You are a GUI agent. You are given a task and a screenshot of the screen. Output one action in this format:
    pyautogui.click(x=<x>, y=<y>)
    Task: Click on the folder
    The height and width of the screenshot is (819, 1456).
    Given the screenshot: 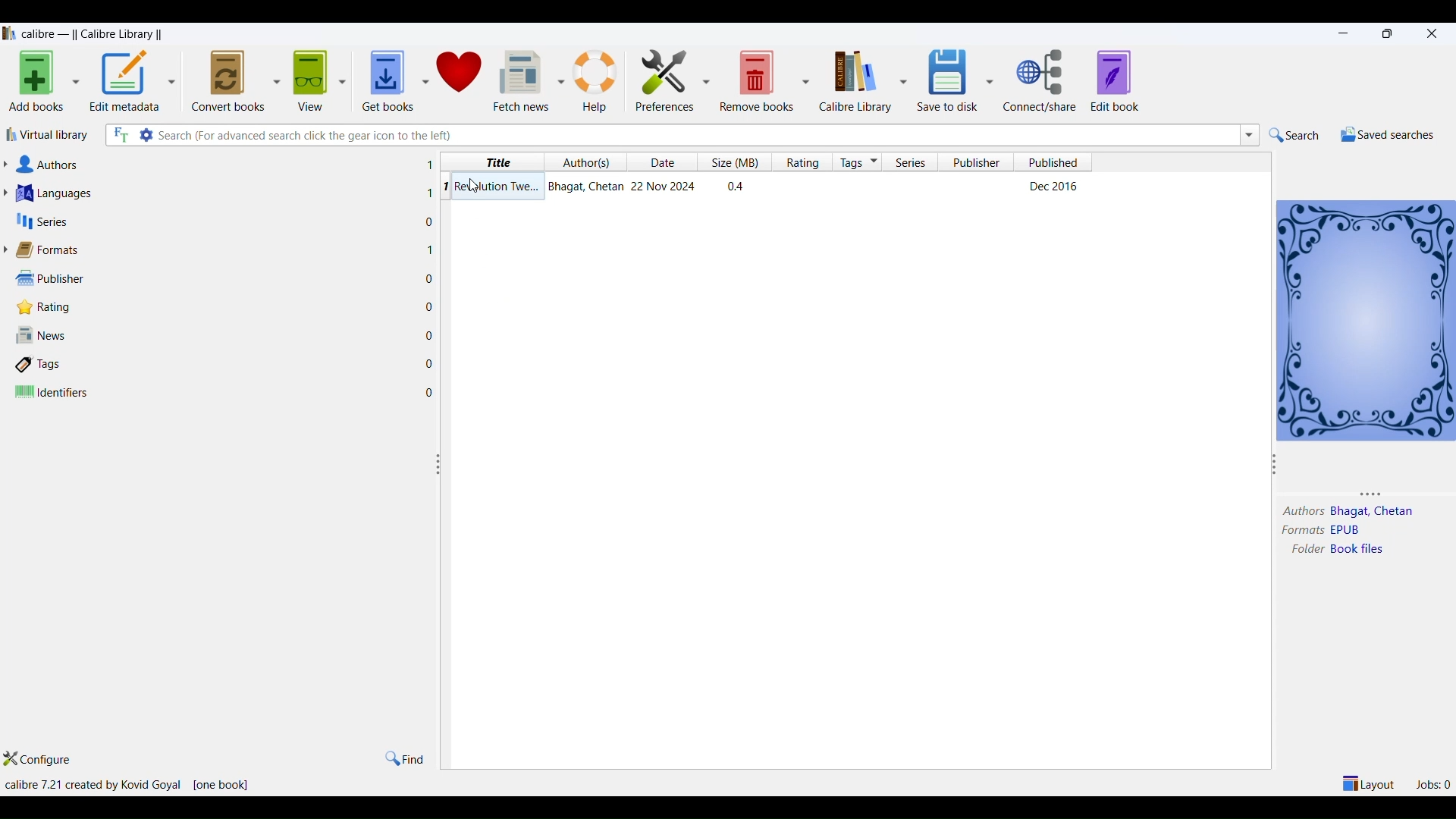 What is the action you would take?
    pyautogui.click(x=1305, y=550)
    